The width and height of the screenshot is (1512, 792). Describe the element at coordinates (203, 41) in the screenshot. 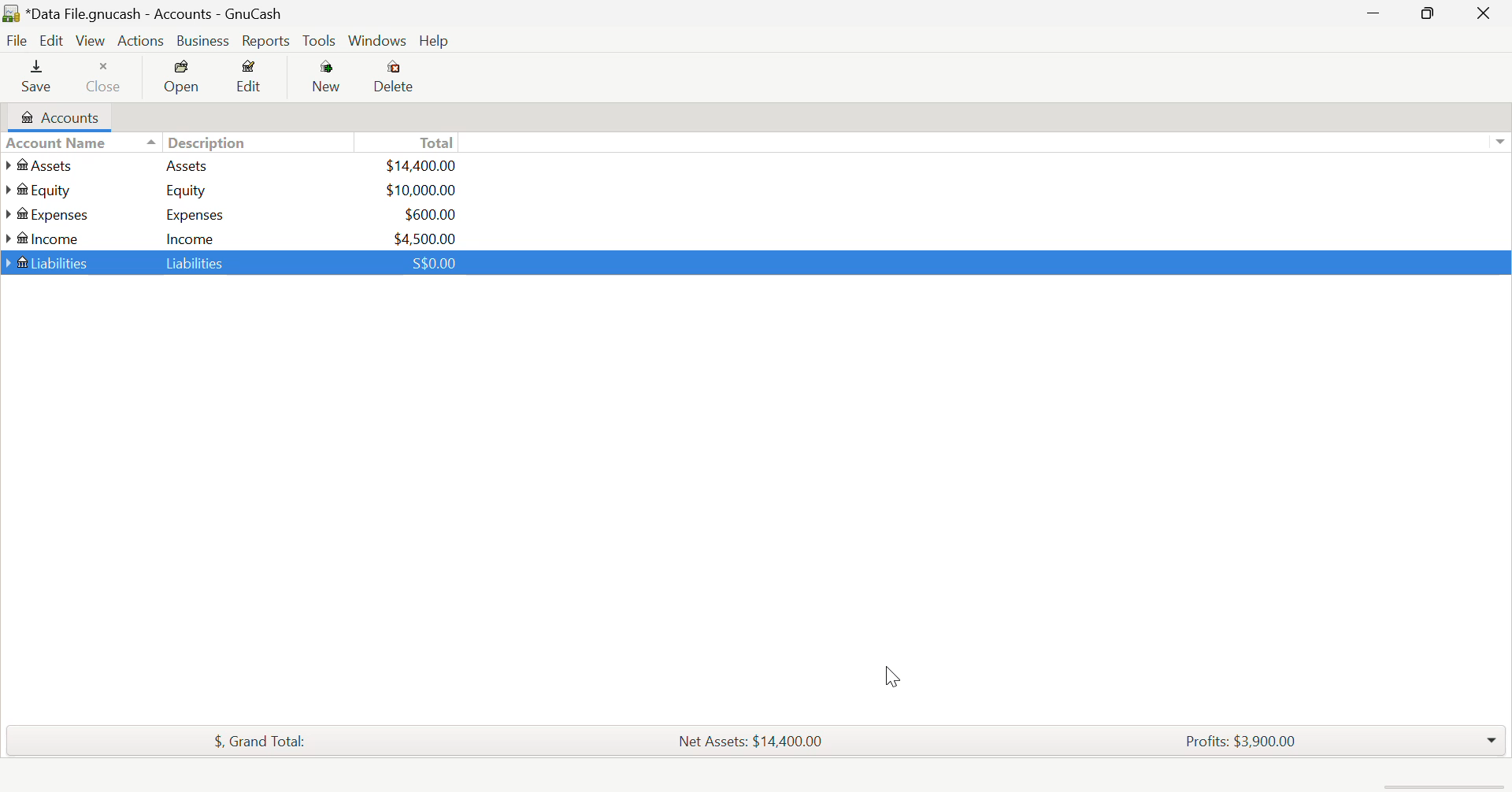

I see `Business` at that location.